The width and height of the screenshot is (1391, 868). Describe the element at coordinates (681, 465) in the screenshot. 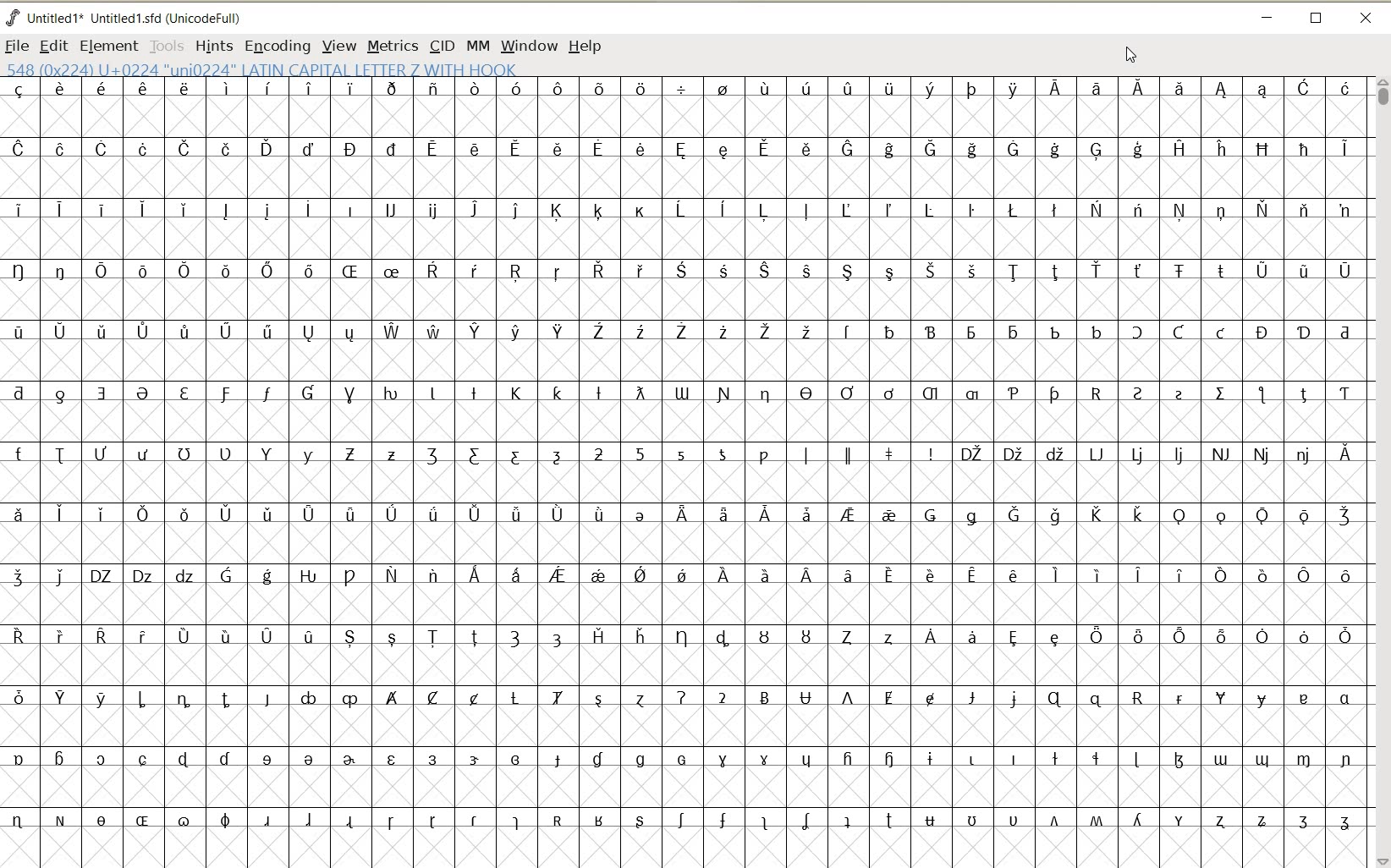

I see `GLYPHY CHARACTERS & NUMBERS` at that location.